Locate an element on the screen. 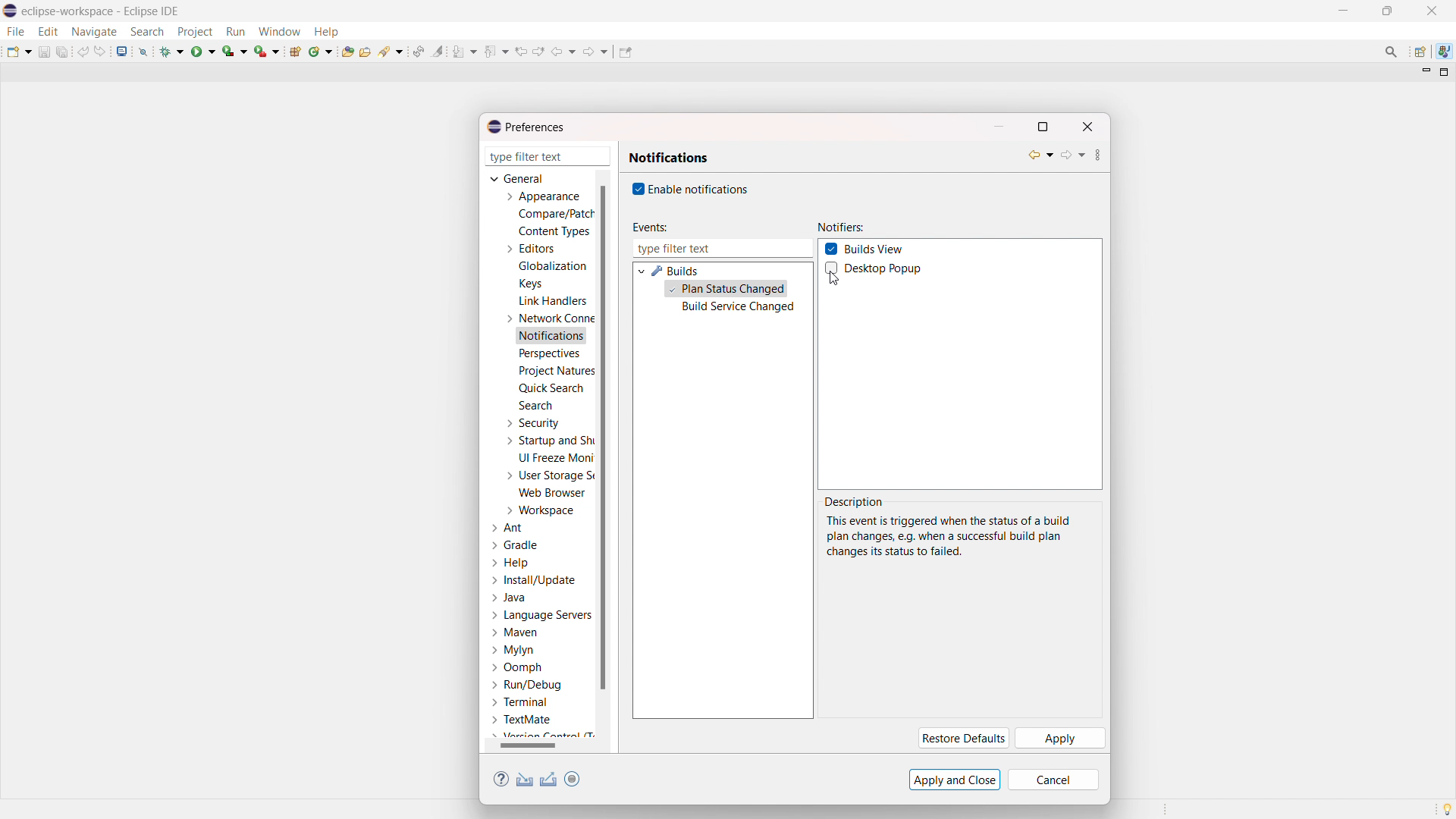 This screenshot has width=1456, height=819. builds view checkbox is located at coordinates (876, 249).